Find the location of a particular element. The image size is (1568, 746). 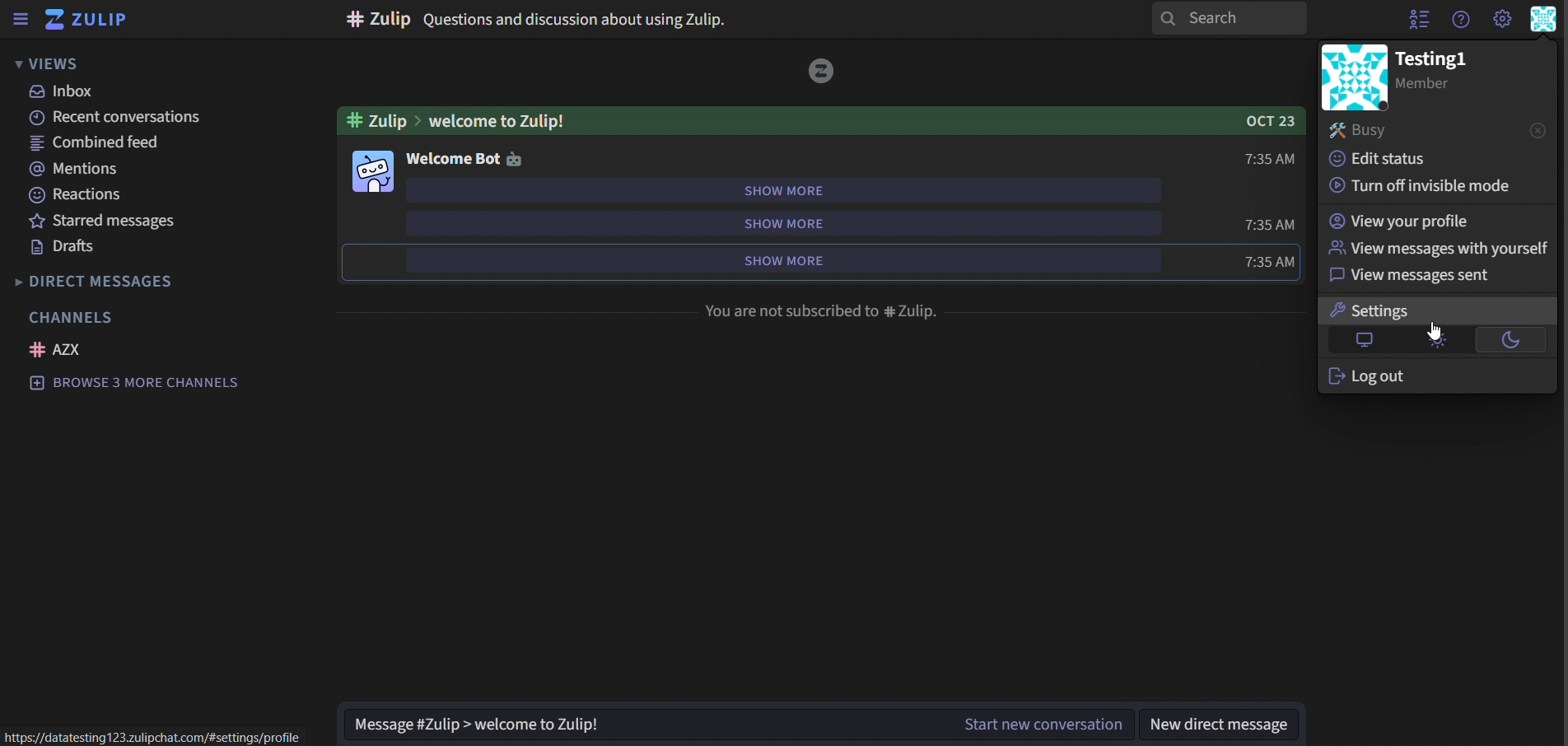

#Zulip>  is located at coordinates (373, 121).